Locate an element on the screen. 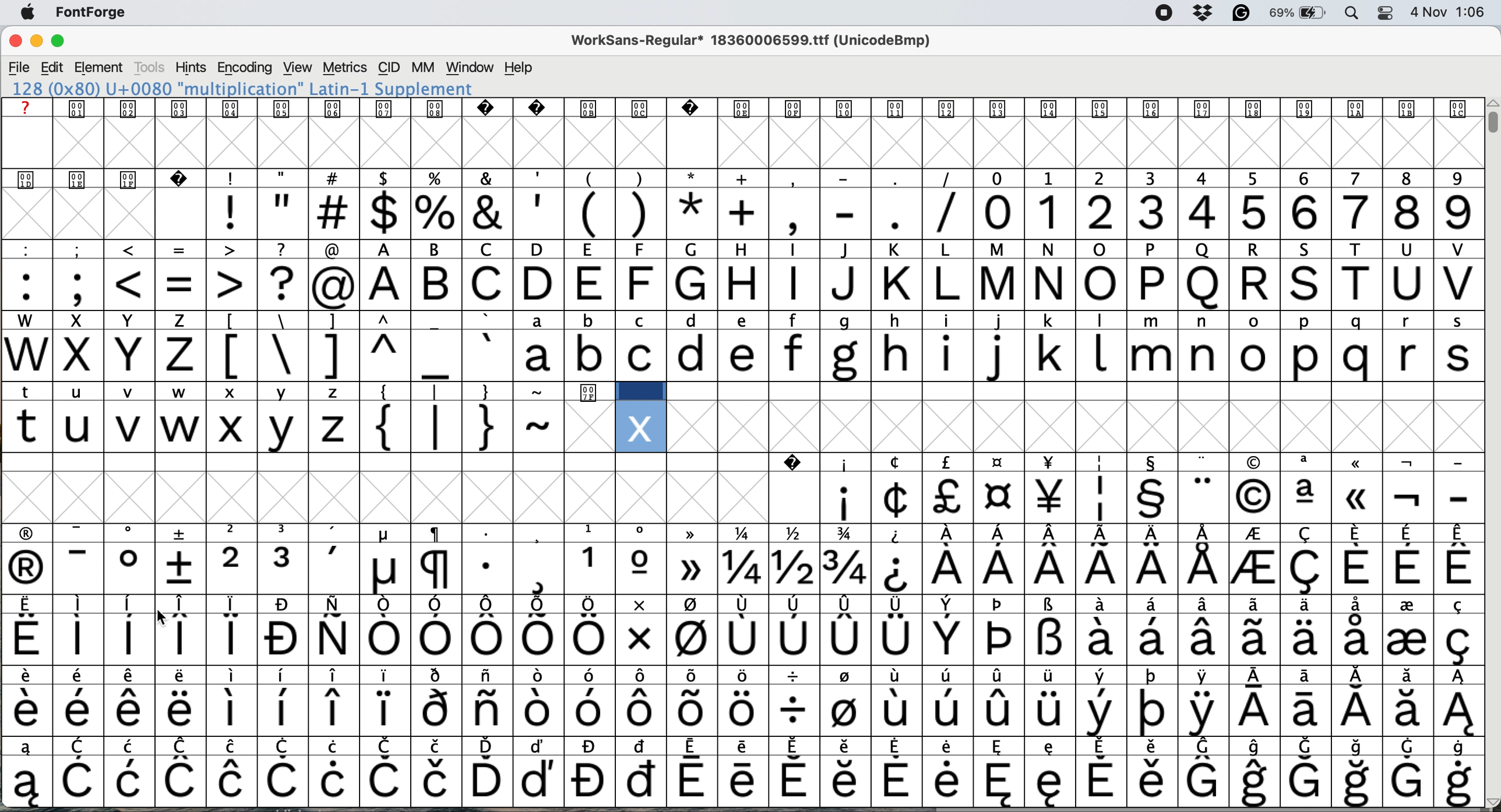 This screenshot has height=812, width=1501. spotlight search is located at coordinates (1352, 14).